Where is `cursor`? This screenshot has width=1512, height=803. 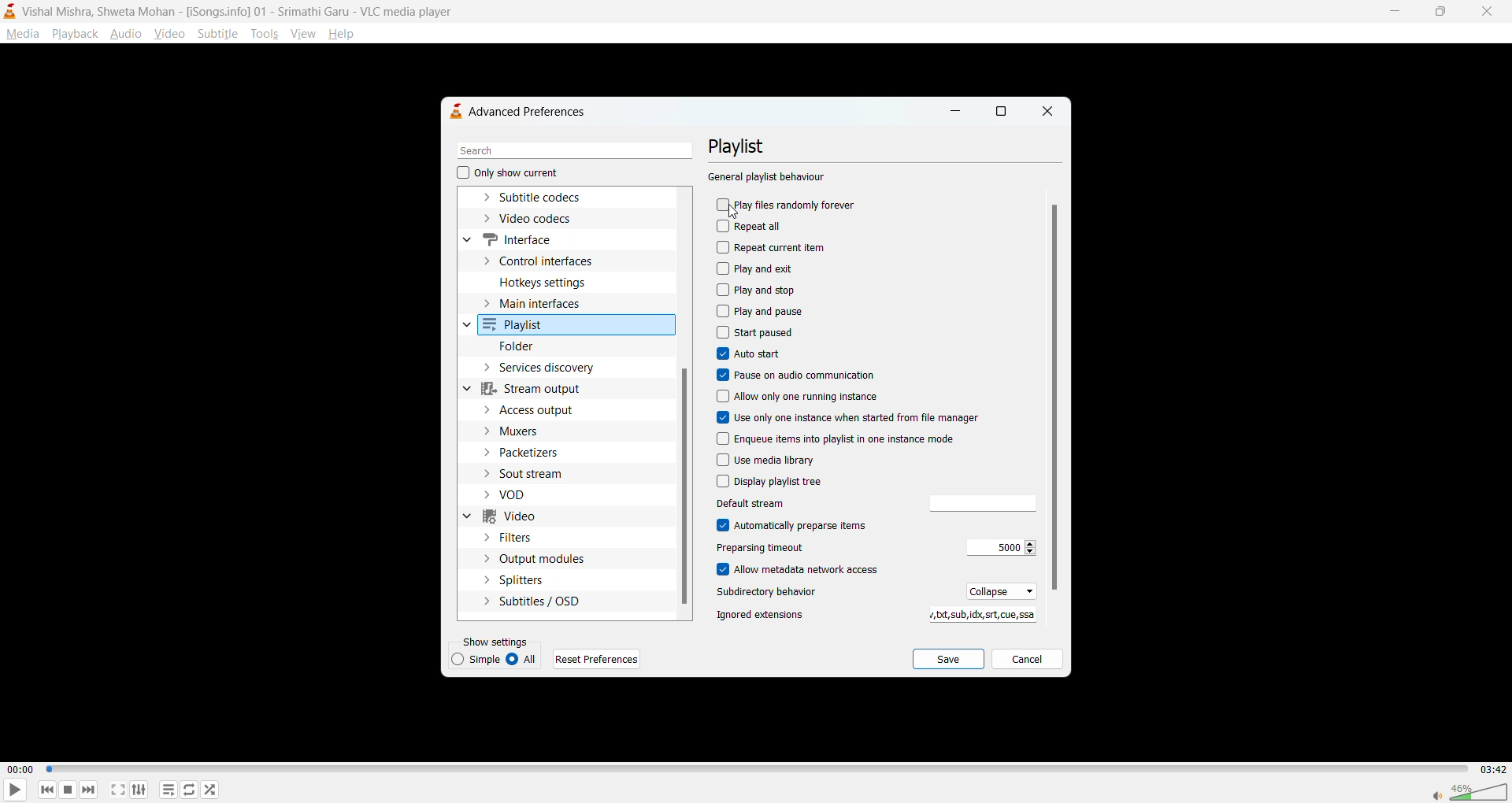
cursor is located at coordinates (735, 213).